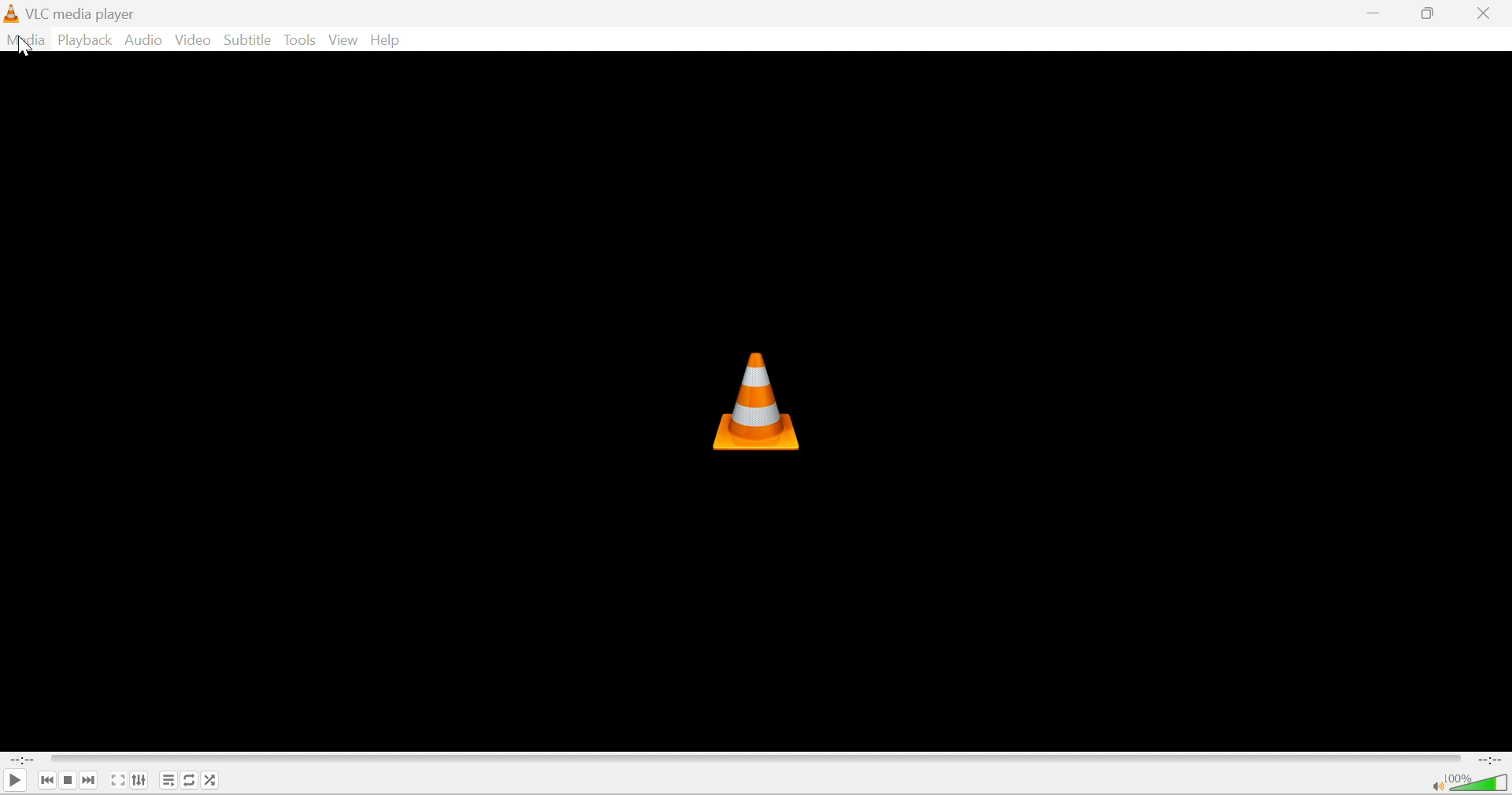  What do you see at coordinates (1489, 760) in the screenshot?
I see `End Time` at bounding box center [1489, 760].